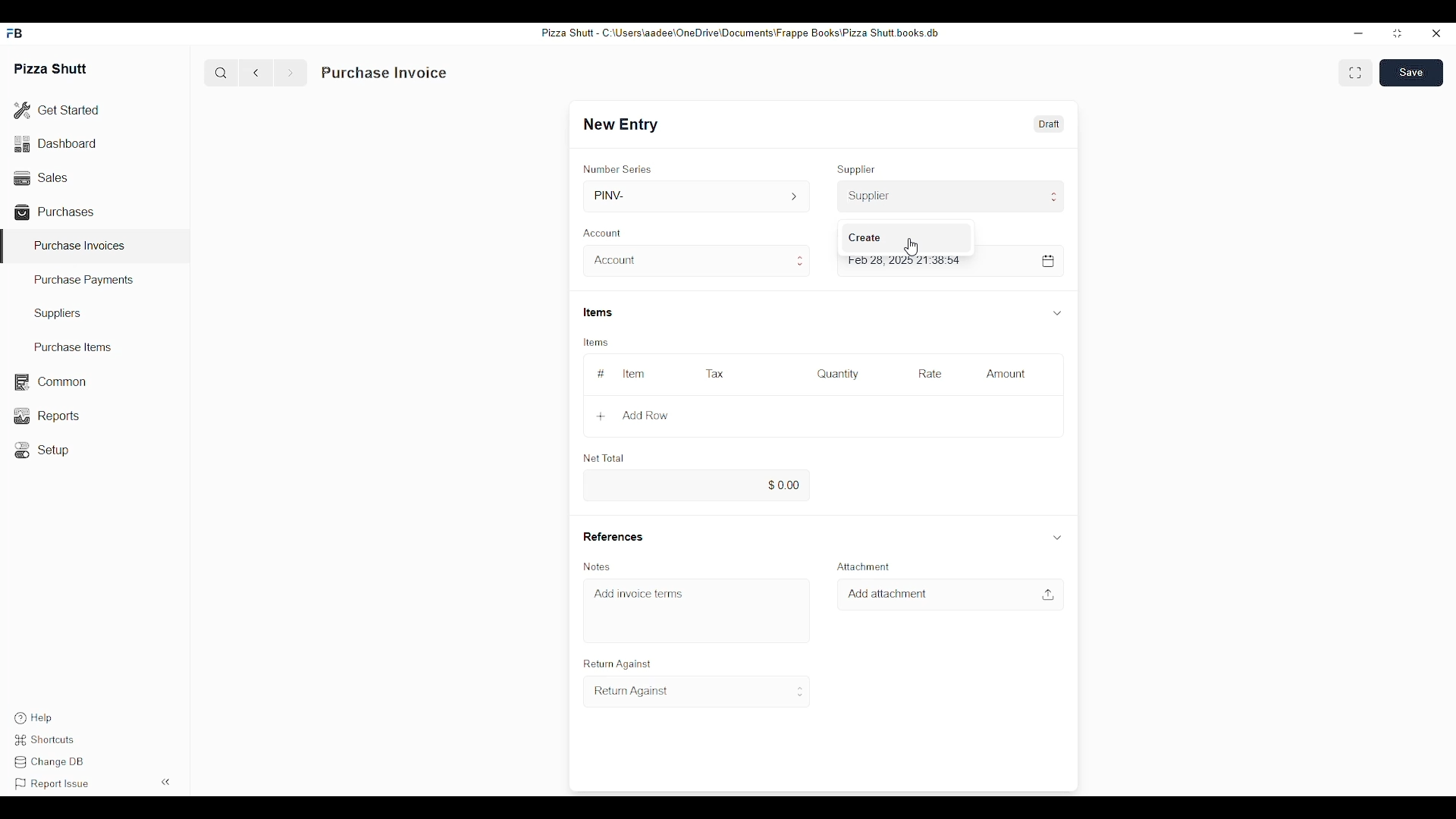  I want to click on Create , so click(866, 237).